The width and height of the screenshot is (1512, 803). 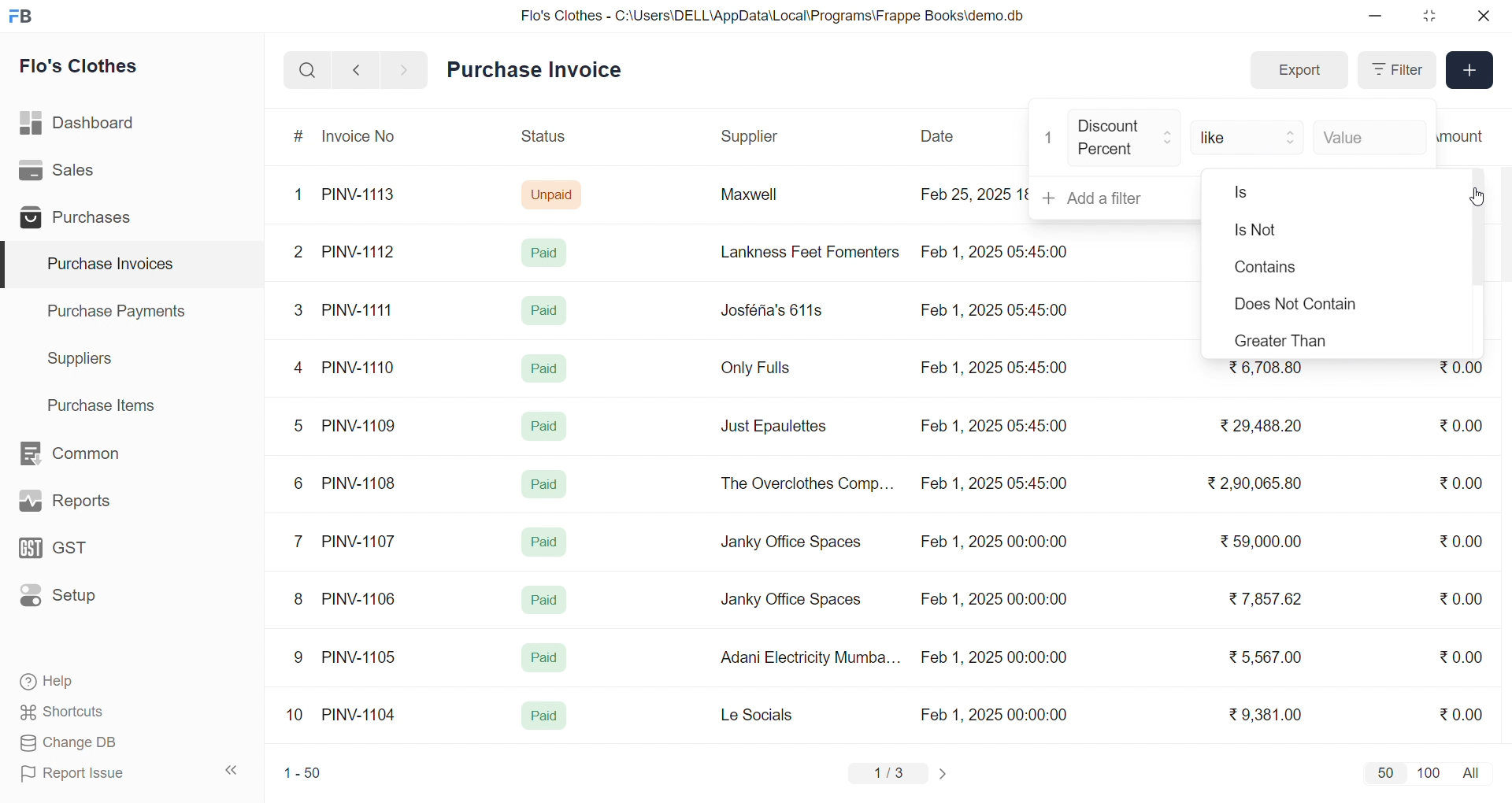 What do you see at coordinates (1426, 772) in the screenshot?
I see `100` at bounding box center [1426, 772].